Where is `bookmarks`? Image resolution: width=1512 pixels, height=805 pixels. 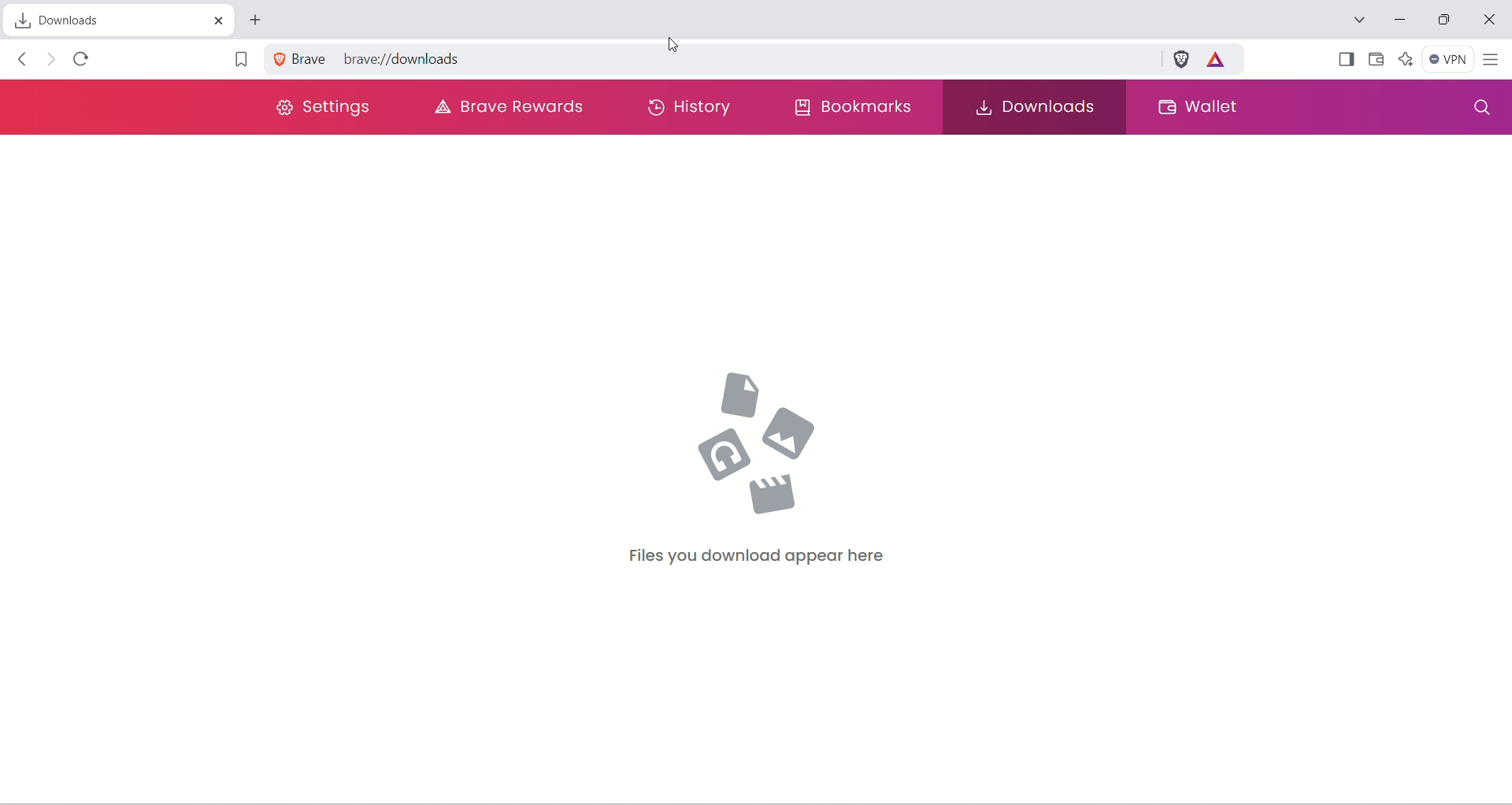 bookmarks is located at coordinates (854, 108).